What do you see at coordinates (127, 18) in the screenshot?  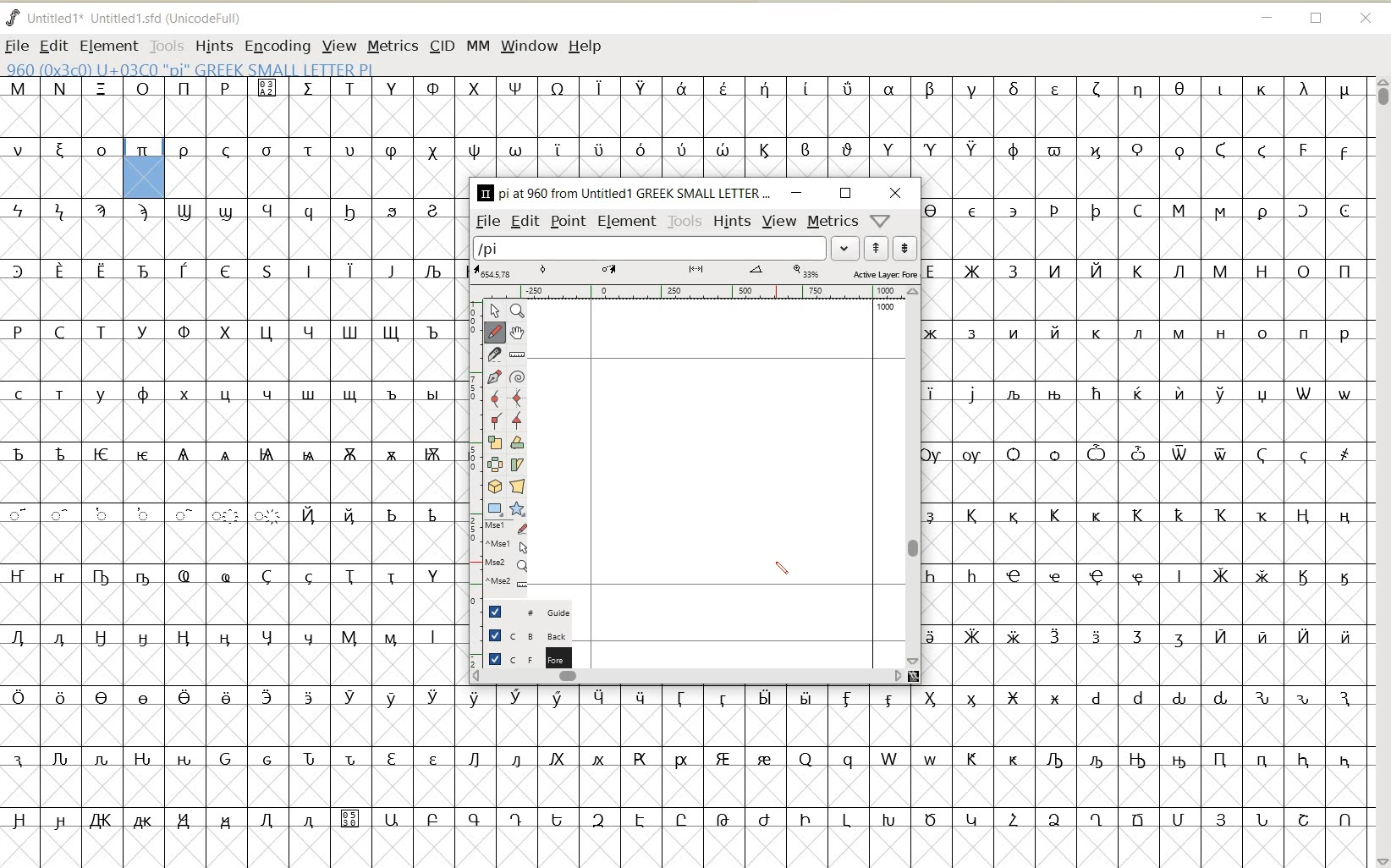 I see `FONT NAME` at bounding box center [127, 18].